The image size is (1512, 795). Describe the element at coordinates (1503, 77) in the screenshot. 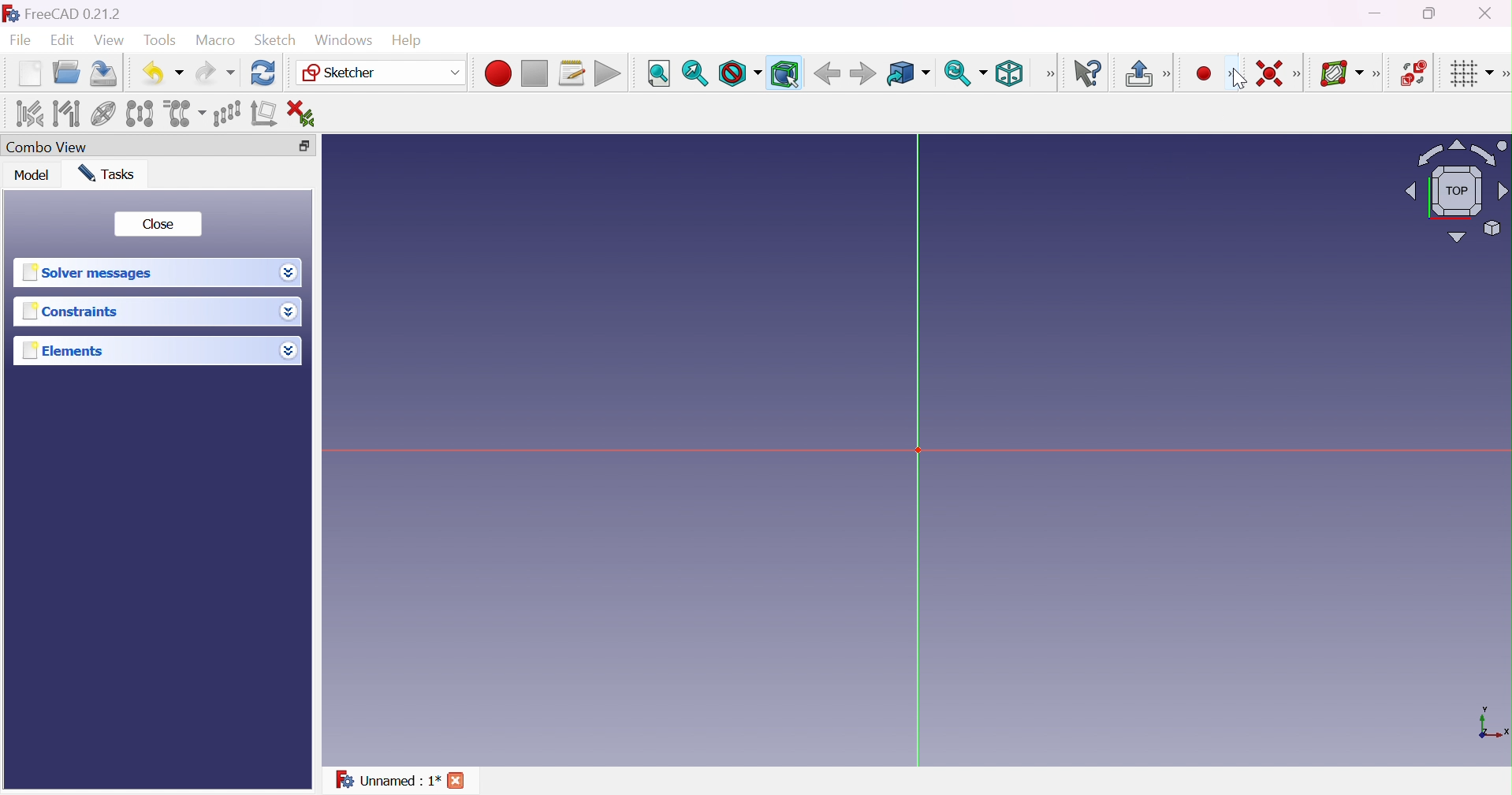

I see `[Sketcher edit tools]` at that location.